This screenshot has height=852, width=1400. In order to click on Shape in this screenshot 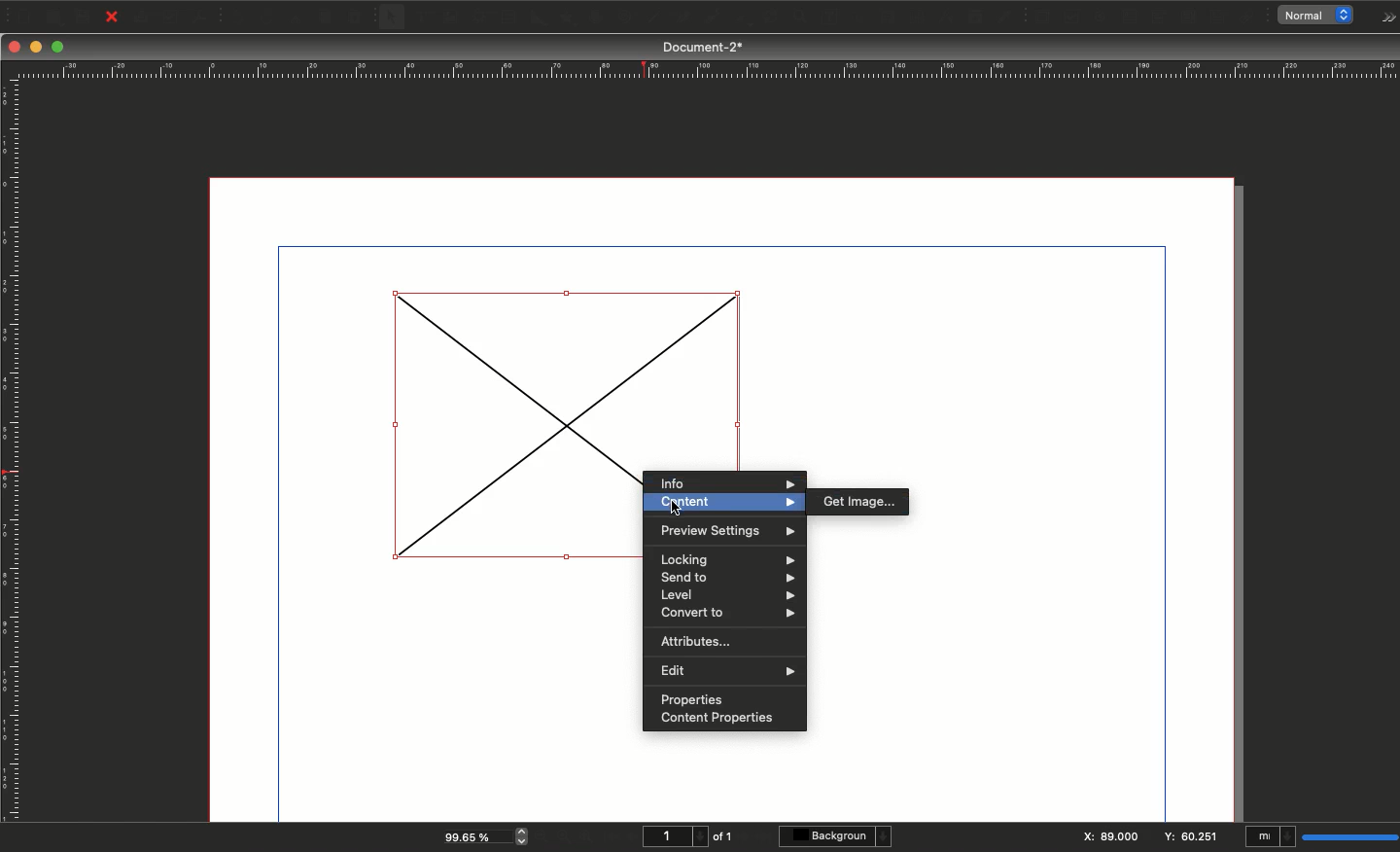, I will do `click(540, 18)`.